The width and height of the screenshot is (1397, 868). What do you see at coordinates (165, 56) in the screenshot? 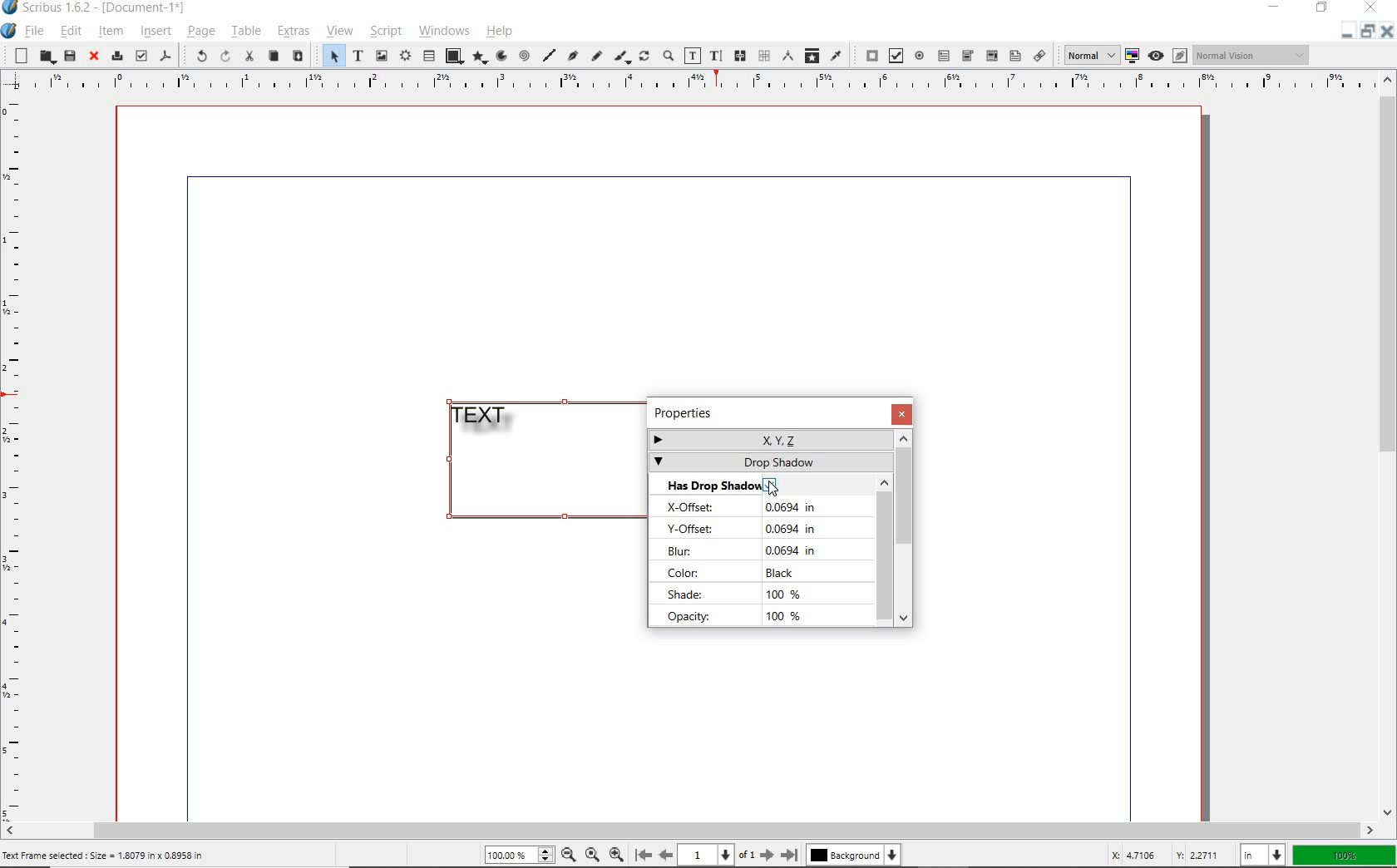
I see `save as pdf` at bounding box center [165, 56].